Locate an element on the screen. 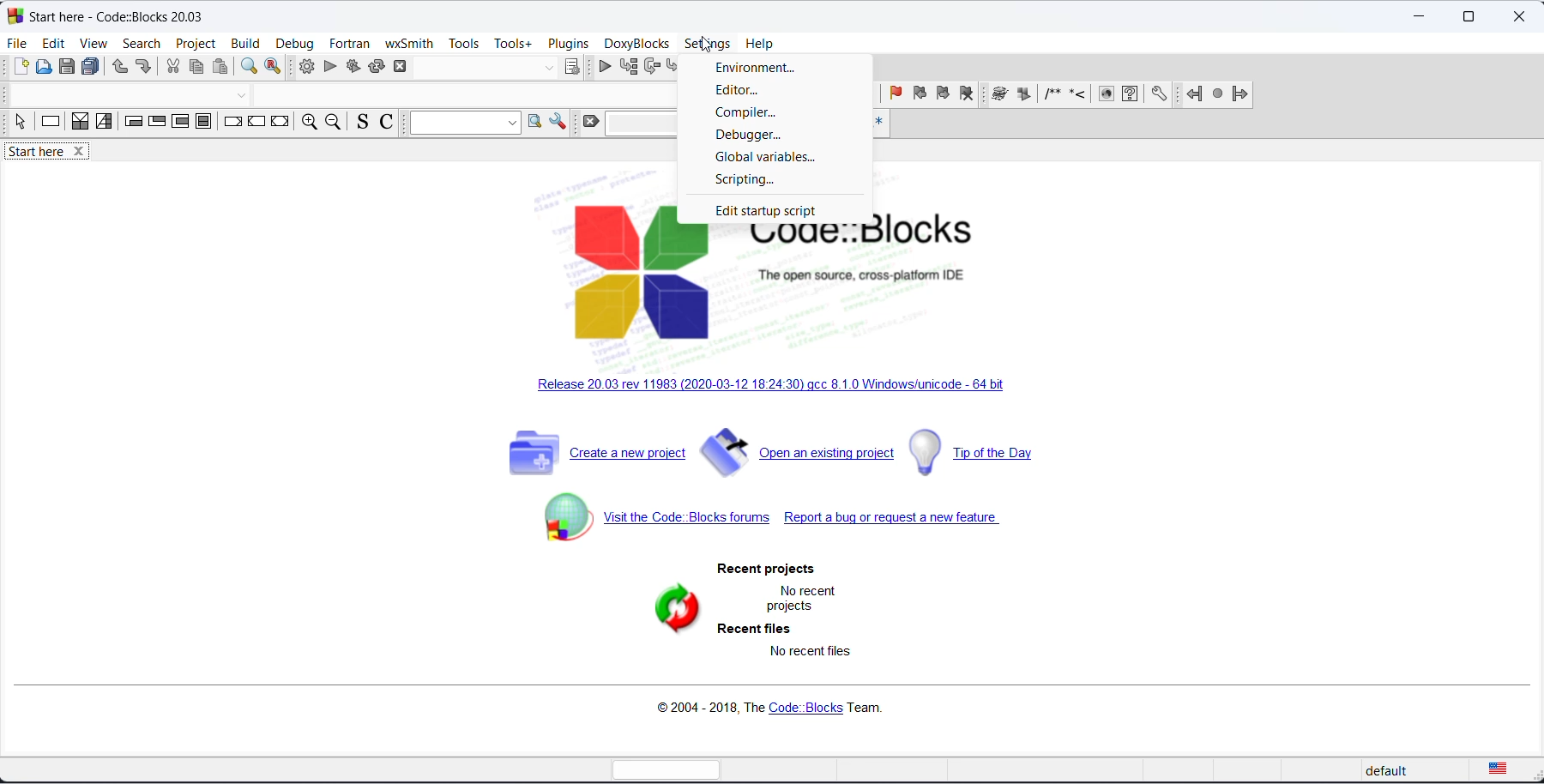 This screenshot has height=784, width=1544. block is located at coordinates (999, 93).